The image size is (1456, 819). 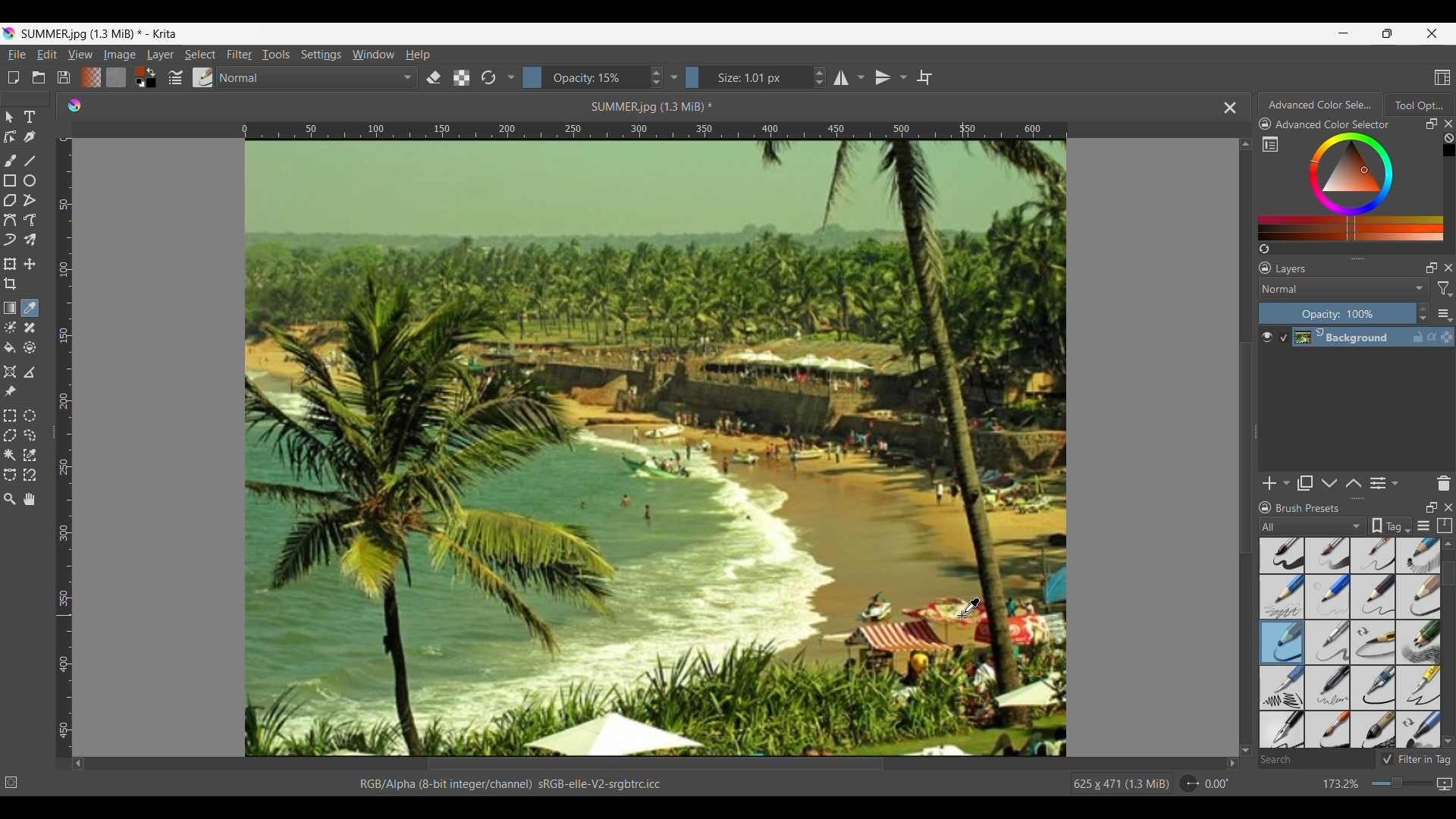 What do you see at coordinates (120, 54) in the screenshot?
I see `Image menu` at bounding box center [120, 54].